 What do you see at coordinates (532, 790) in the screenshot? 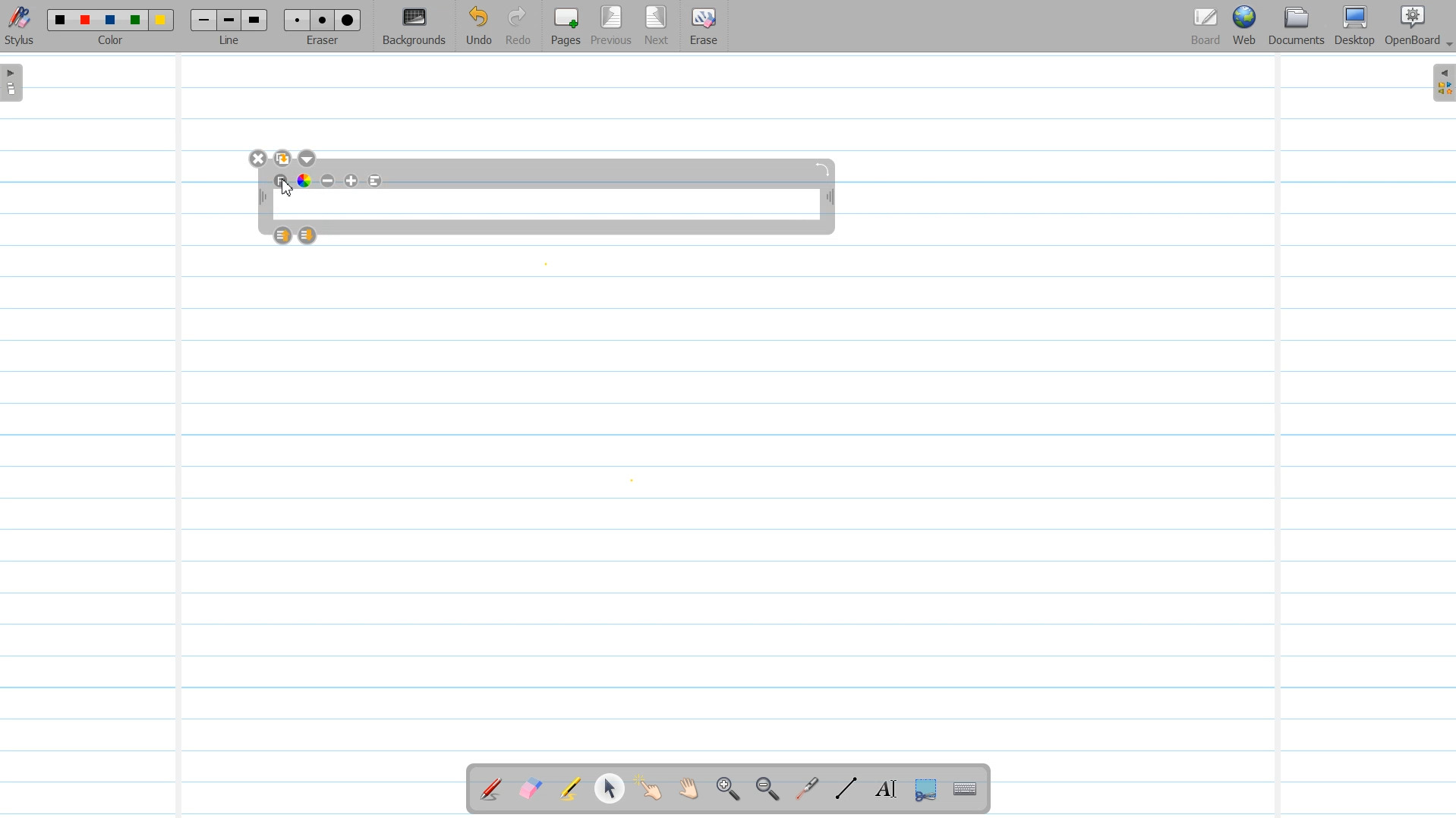
I see `Erase Annotation` at bounding box center [532, 790].